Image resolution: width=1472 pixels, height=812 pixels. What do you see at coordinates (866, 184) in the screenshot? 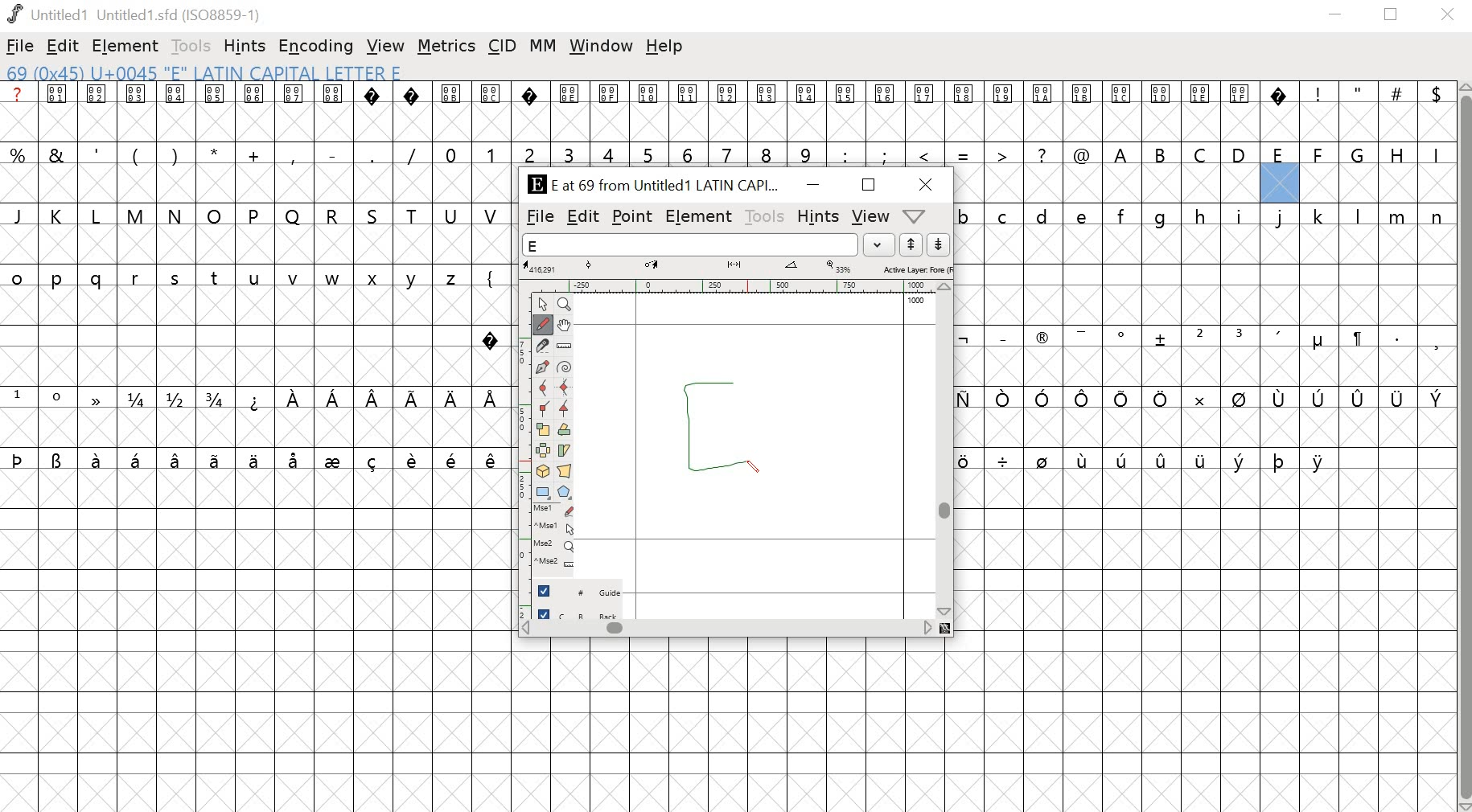
I see `Maximize` at bounding box center [866, 184].